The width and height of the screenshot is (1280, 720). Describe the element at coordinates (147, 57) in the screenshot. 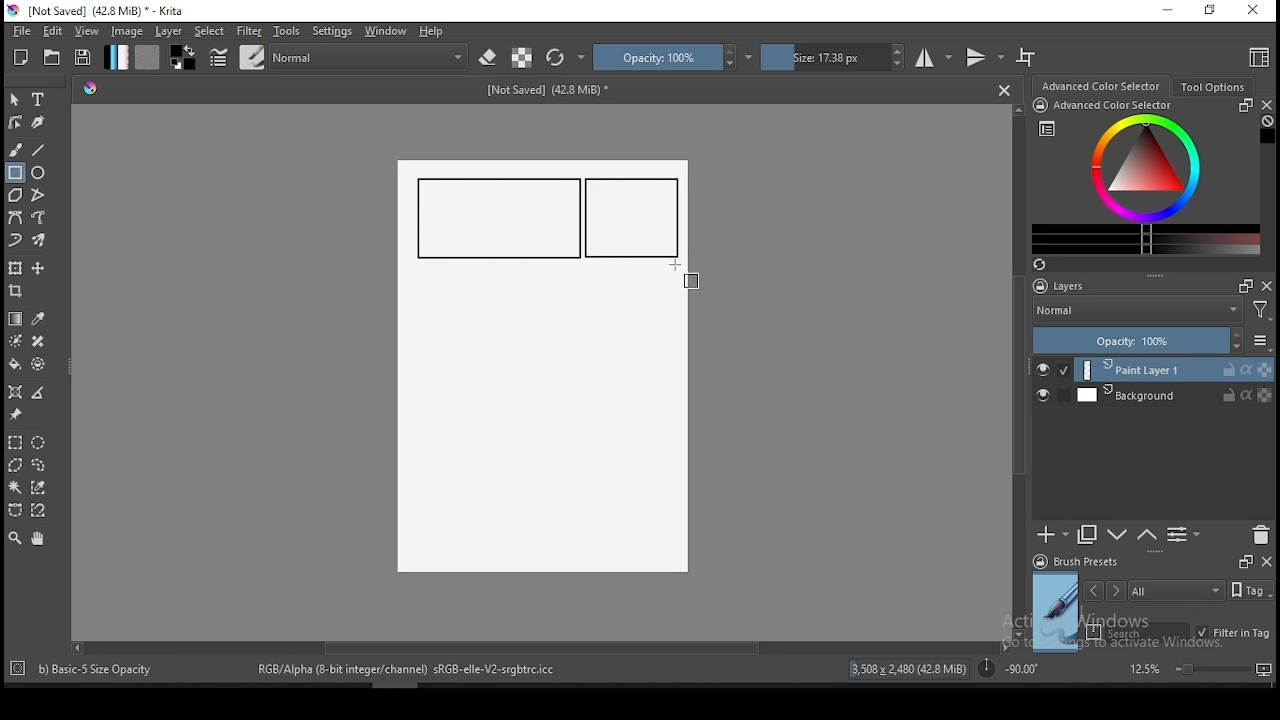

I see `pattern` at that location.